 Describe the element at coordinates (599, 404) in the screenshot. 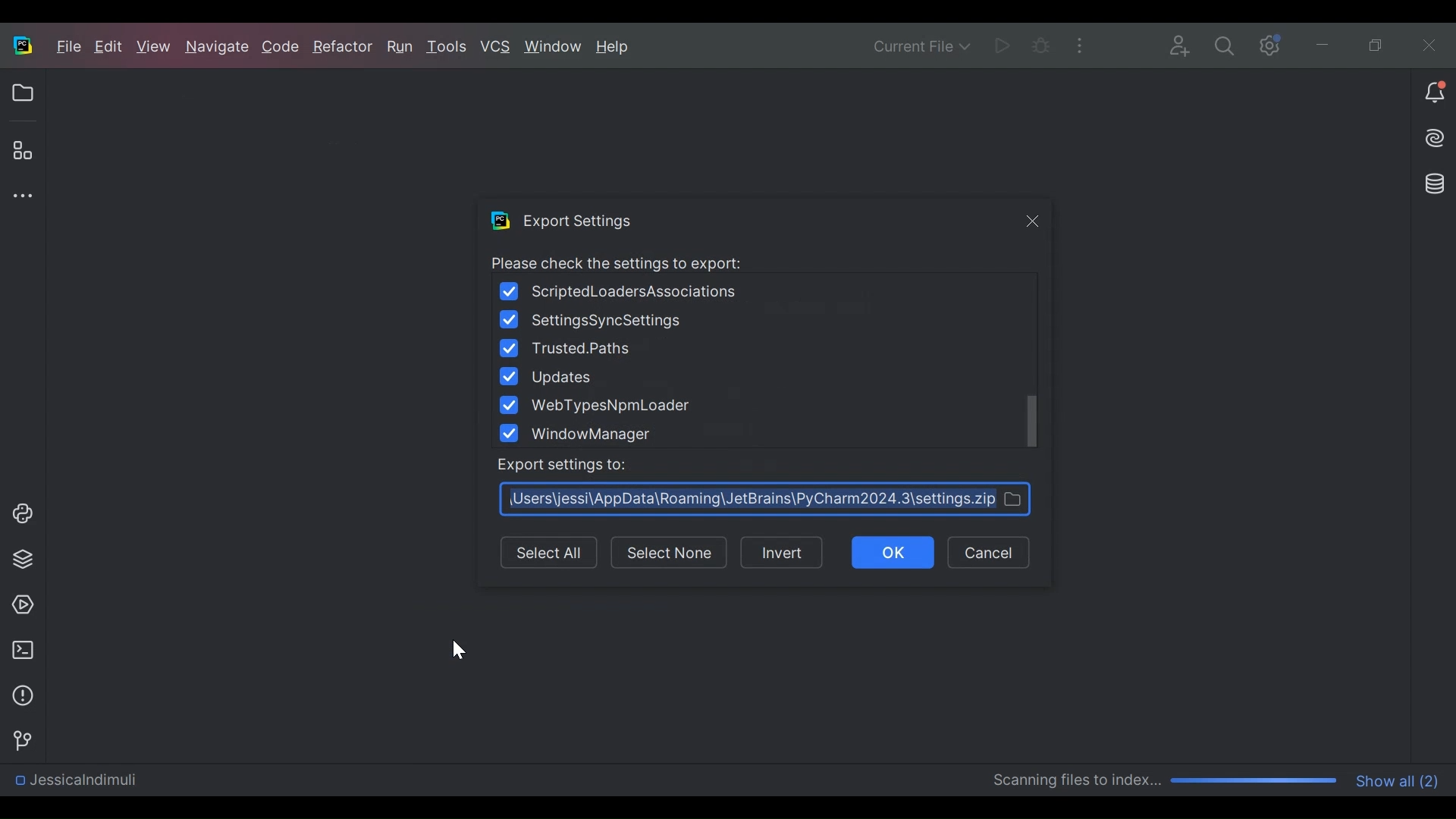

I see `(un)check WebTypesNpmLoader` at that location.